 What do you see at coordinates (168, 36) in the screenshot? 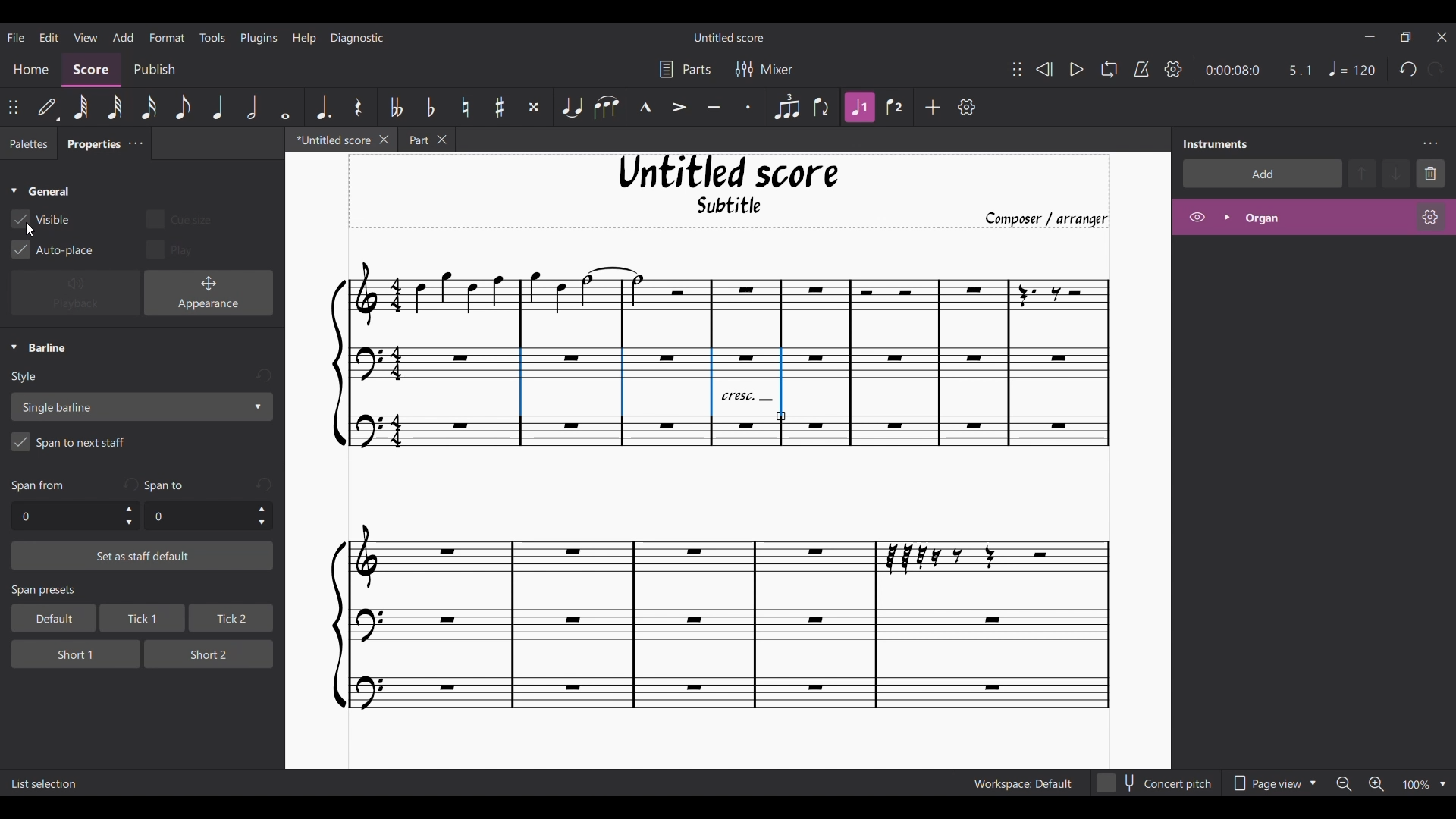
I see `Format menu` at bounding box center [168, 36].